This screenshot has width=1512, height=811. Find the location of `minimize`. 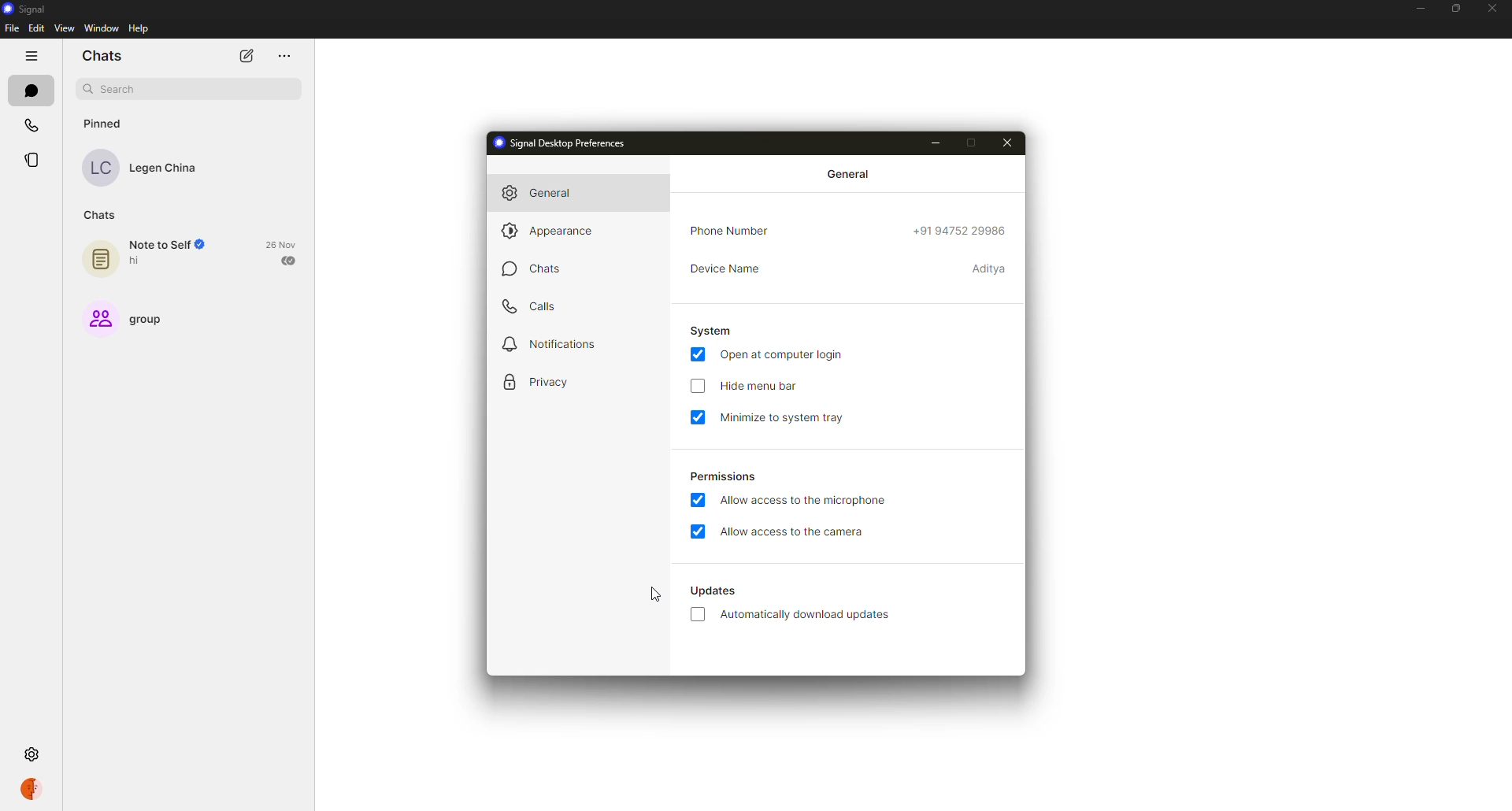

minimize is located at coordinates (1416, 9).